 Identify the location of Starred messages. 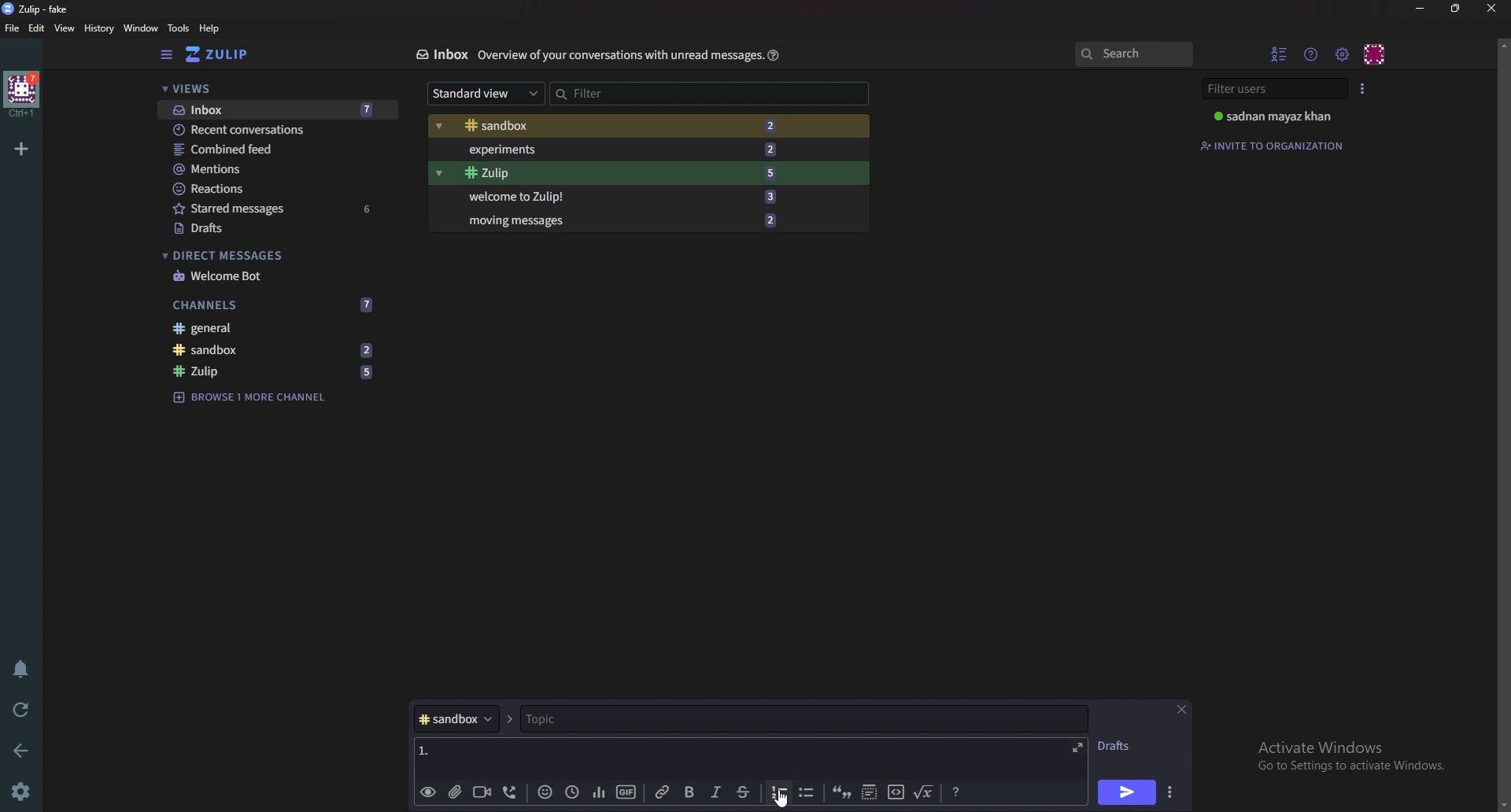
(275, 209).